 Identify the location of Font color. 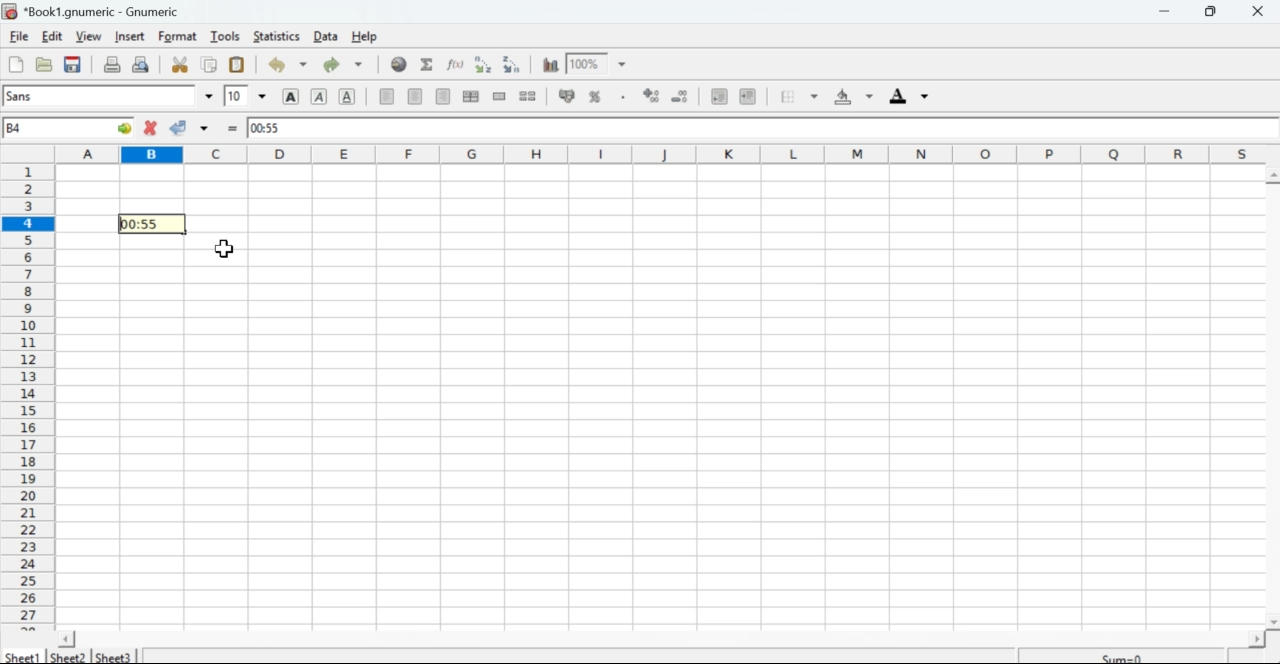
(910, 96).